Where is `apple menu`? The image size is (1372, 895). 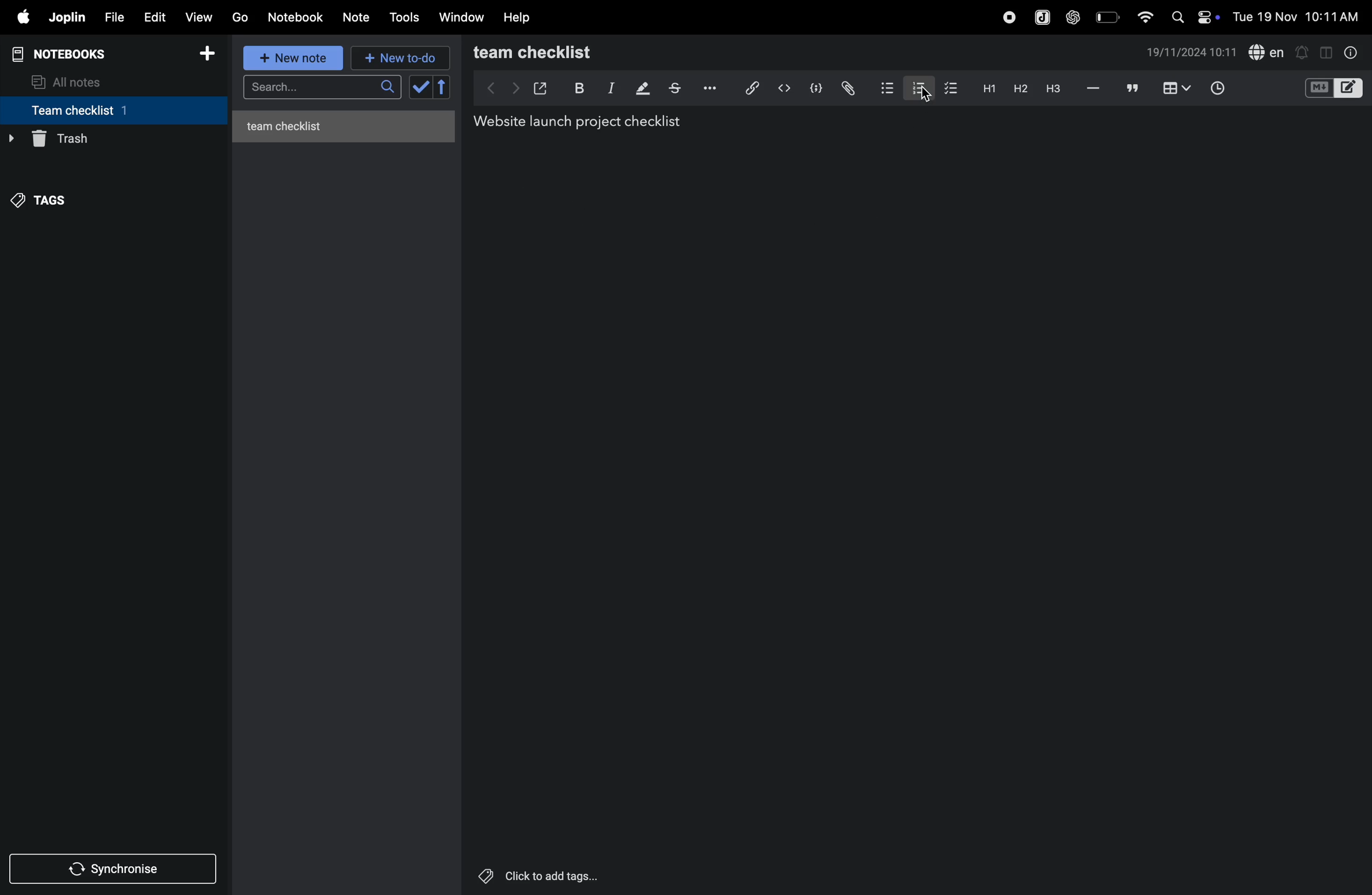
apple menu is located at coordinates (22, 18).